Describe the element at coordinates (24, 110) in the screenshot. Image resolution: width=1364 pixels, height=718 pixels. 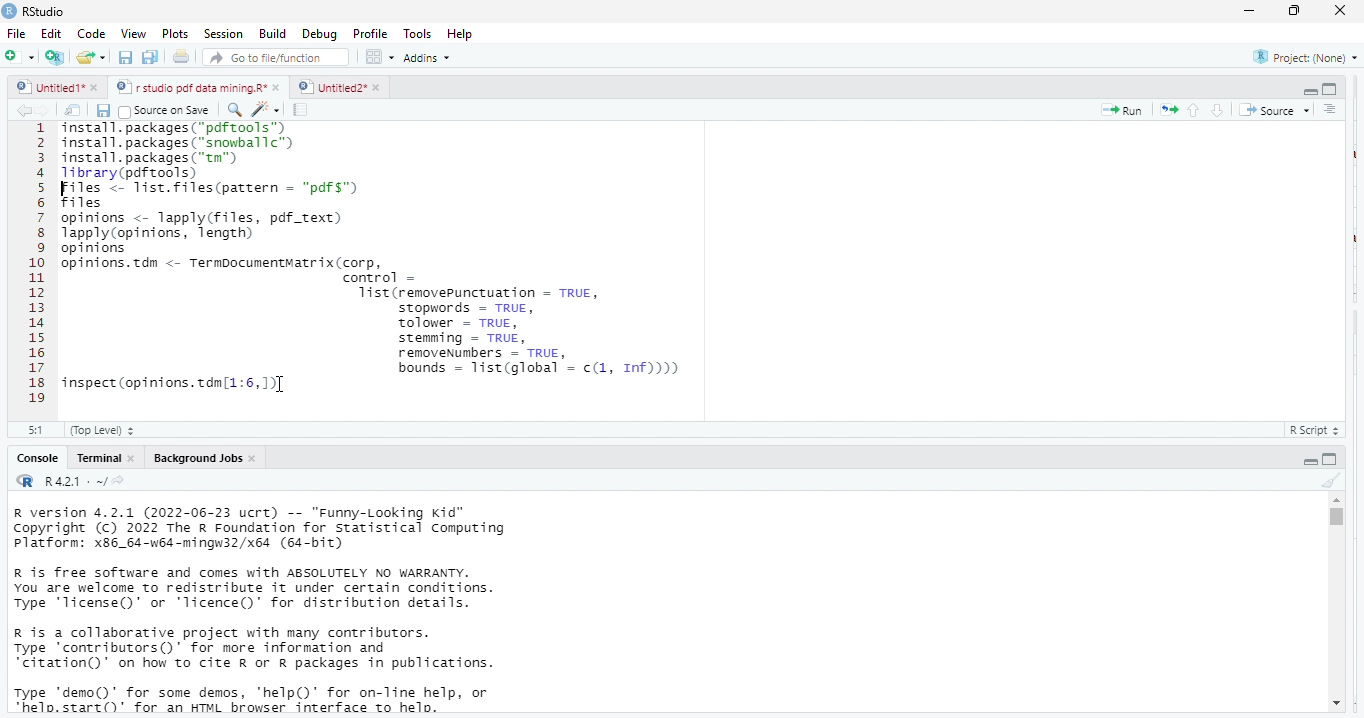
I see `go back to the previous source location` at that location.